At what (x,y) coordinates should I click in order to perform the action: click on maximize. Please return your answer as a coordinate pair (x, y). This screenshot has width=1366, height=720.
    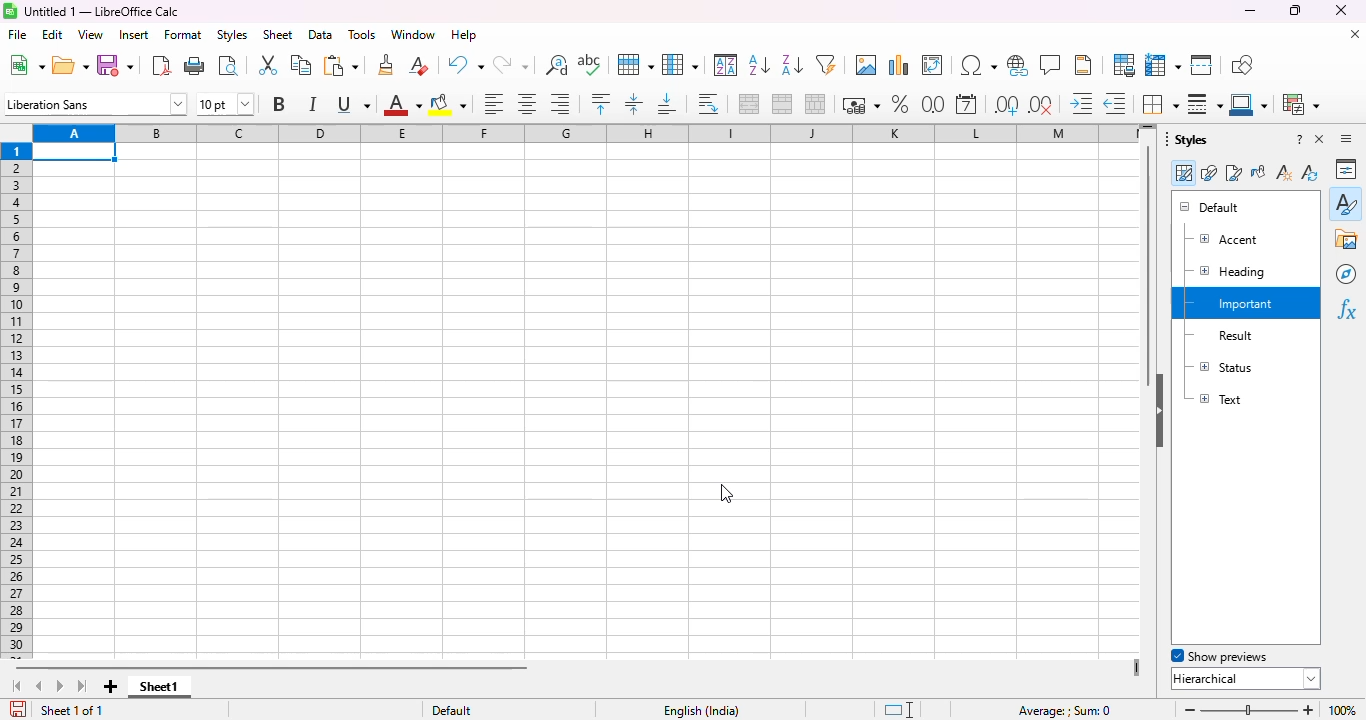
    Looking at the image, I should click on (1296, 10).